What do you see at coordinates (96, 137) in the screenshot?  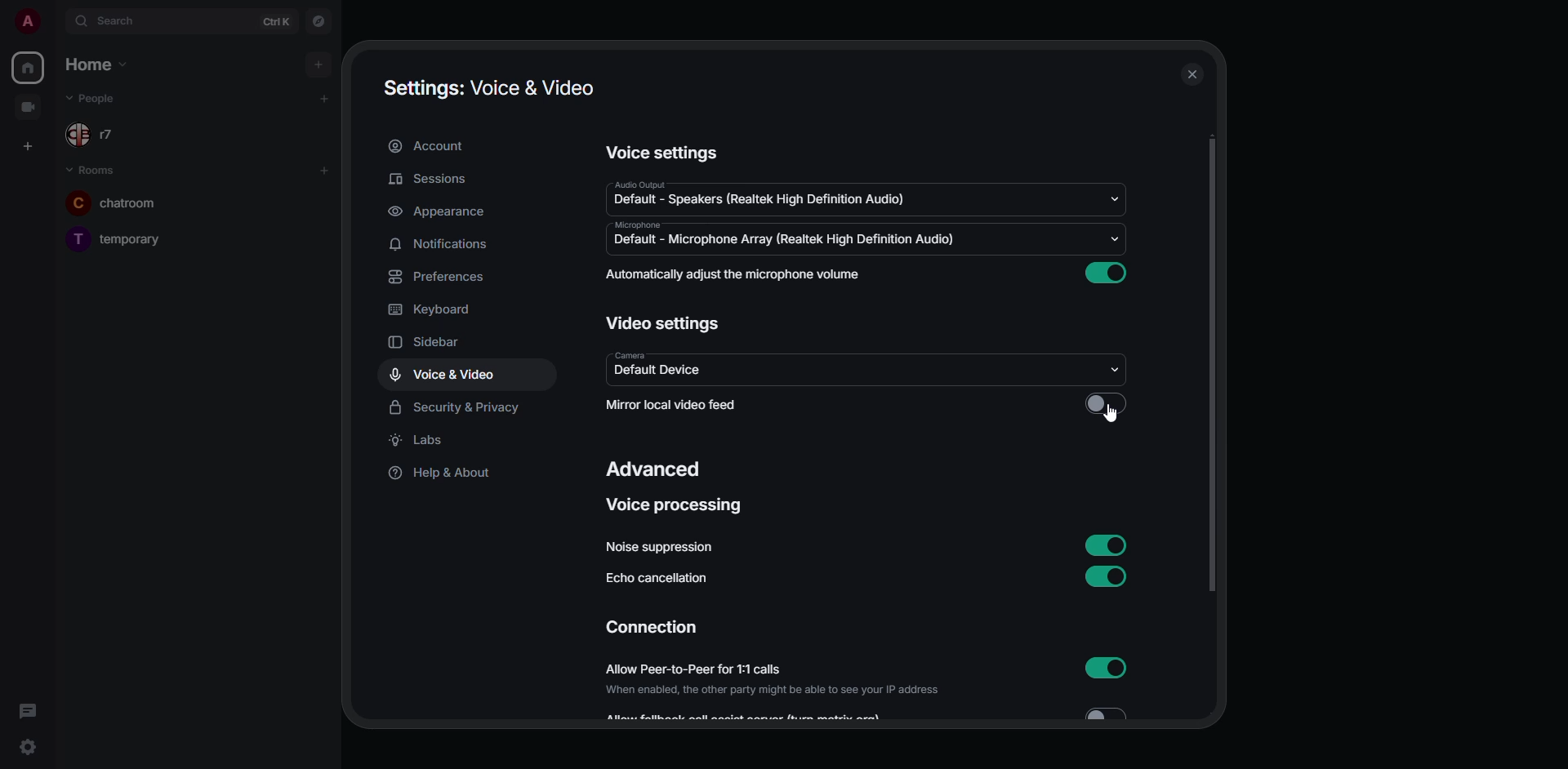 I see `r7` at bounding box center [96, 137].